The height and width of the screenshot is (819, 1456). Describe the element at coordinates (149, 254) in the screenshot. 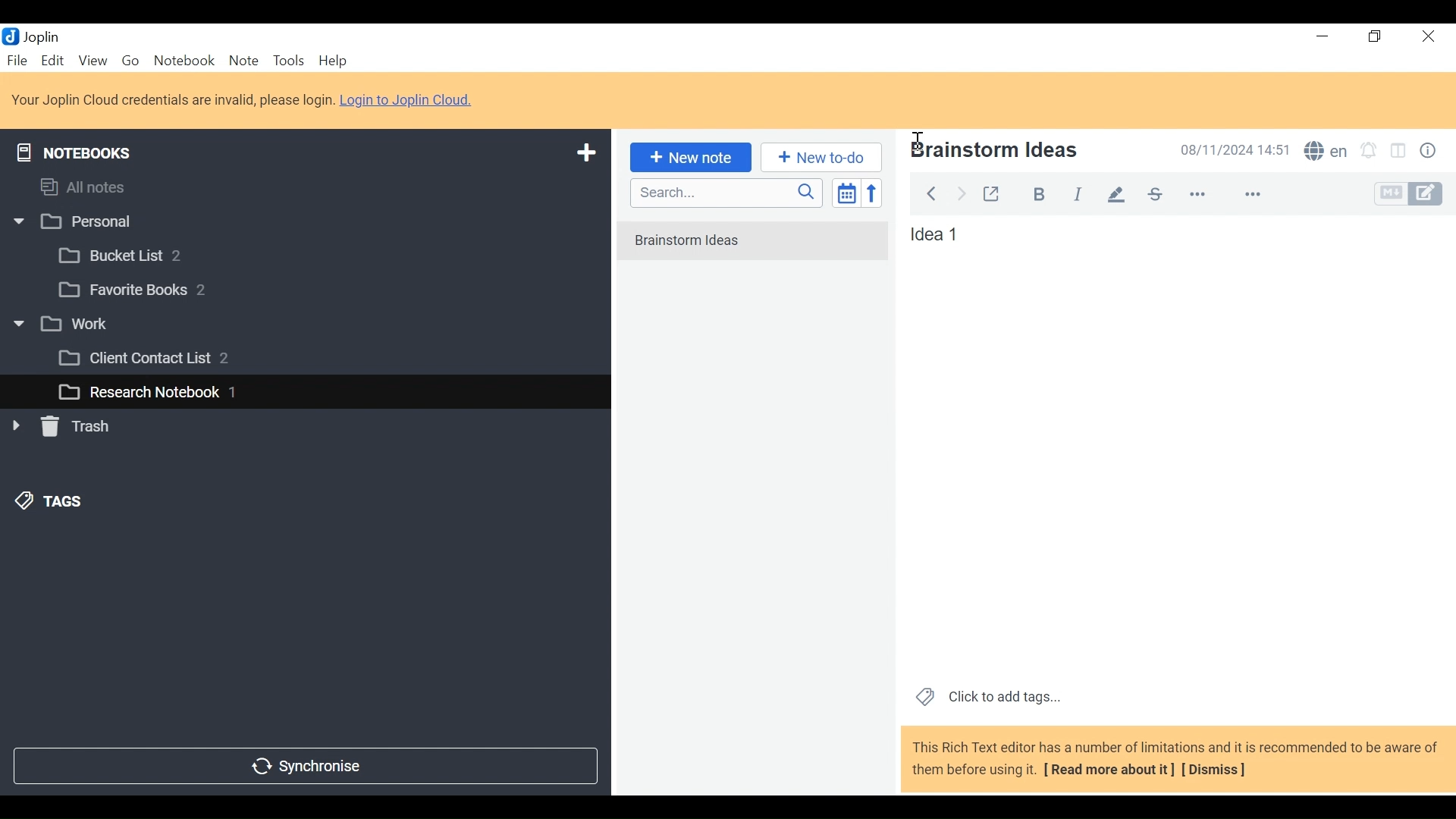

I see `[3 Bucket List 2` at that location.